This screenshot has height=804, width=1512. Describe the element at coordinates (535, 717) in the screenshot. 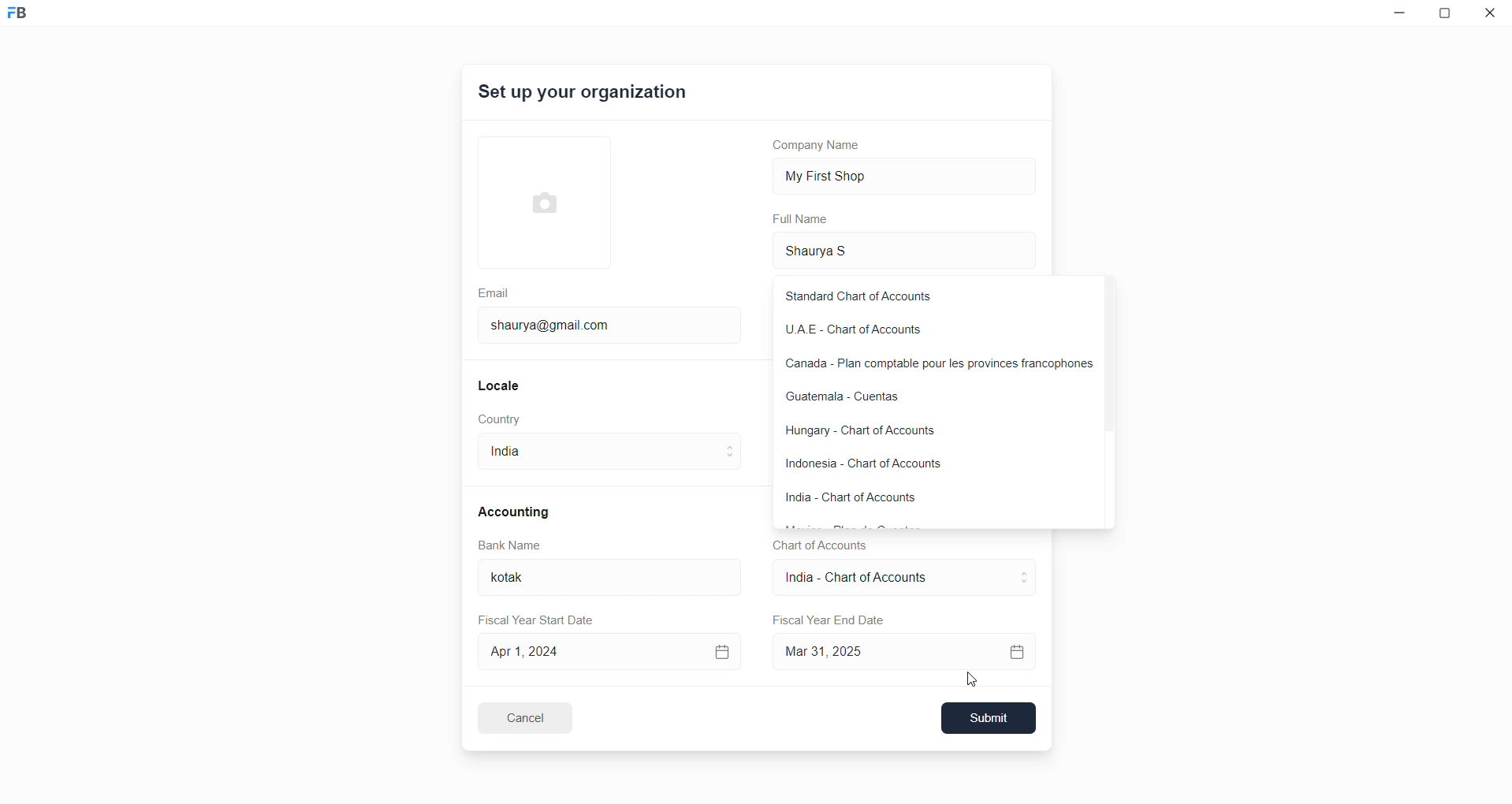

I see `Cancel ` at that location.